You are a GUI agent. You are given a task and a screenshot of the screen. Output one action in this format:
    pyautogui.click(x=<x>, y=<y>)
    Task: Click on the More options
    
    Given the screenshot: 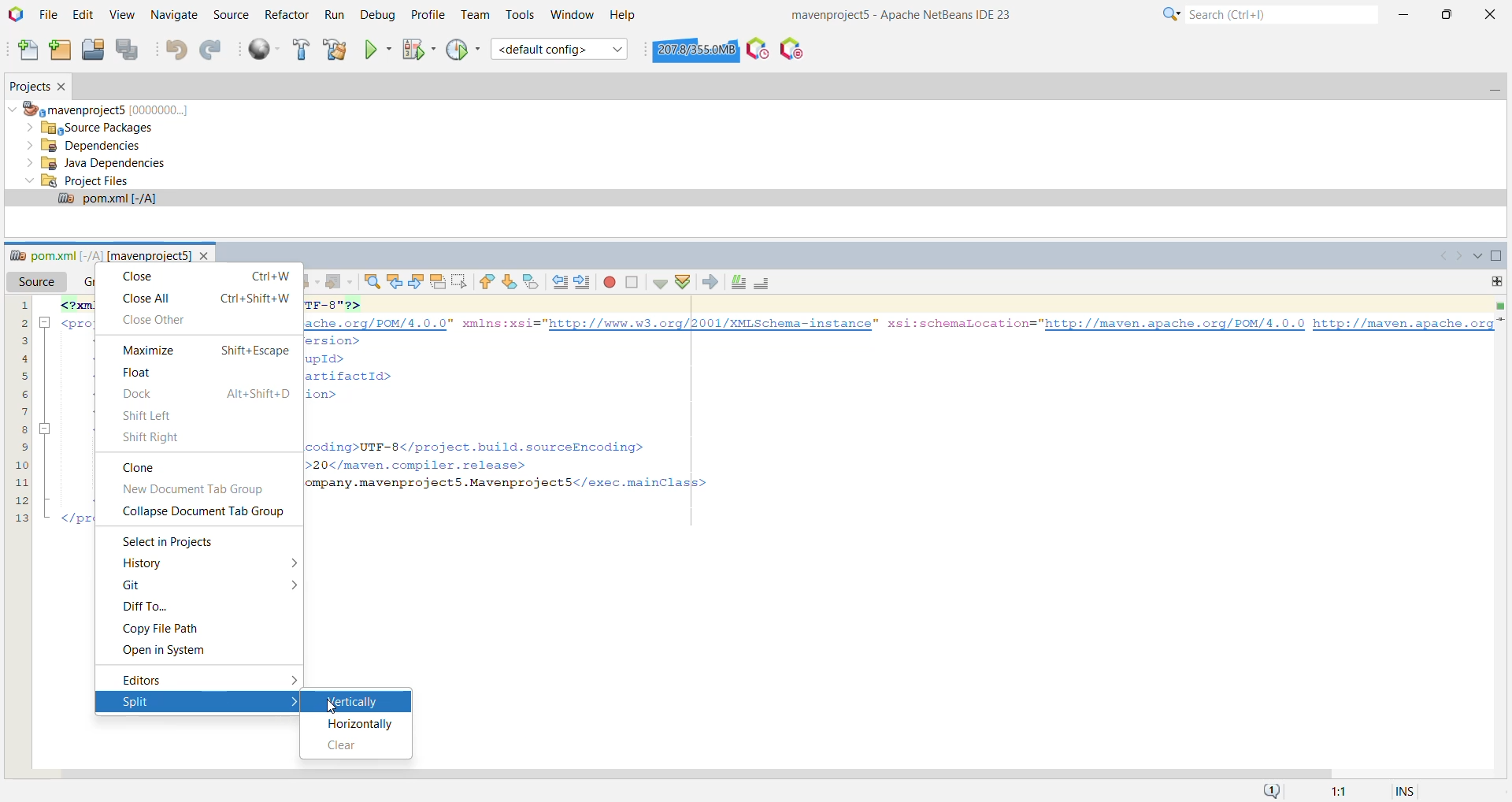 What is the action you would take?
    pyautogui.click(x=291, y=702)
    